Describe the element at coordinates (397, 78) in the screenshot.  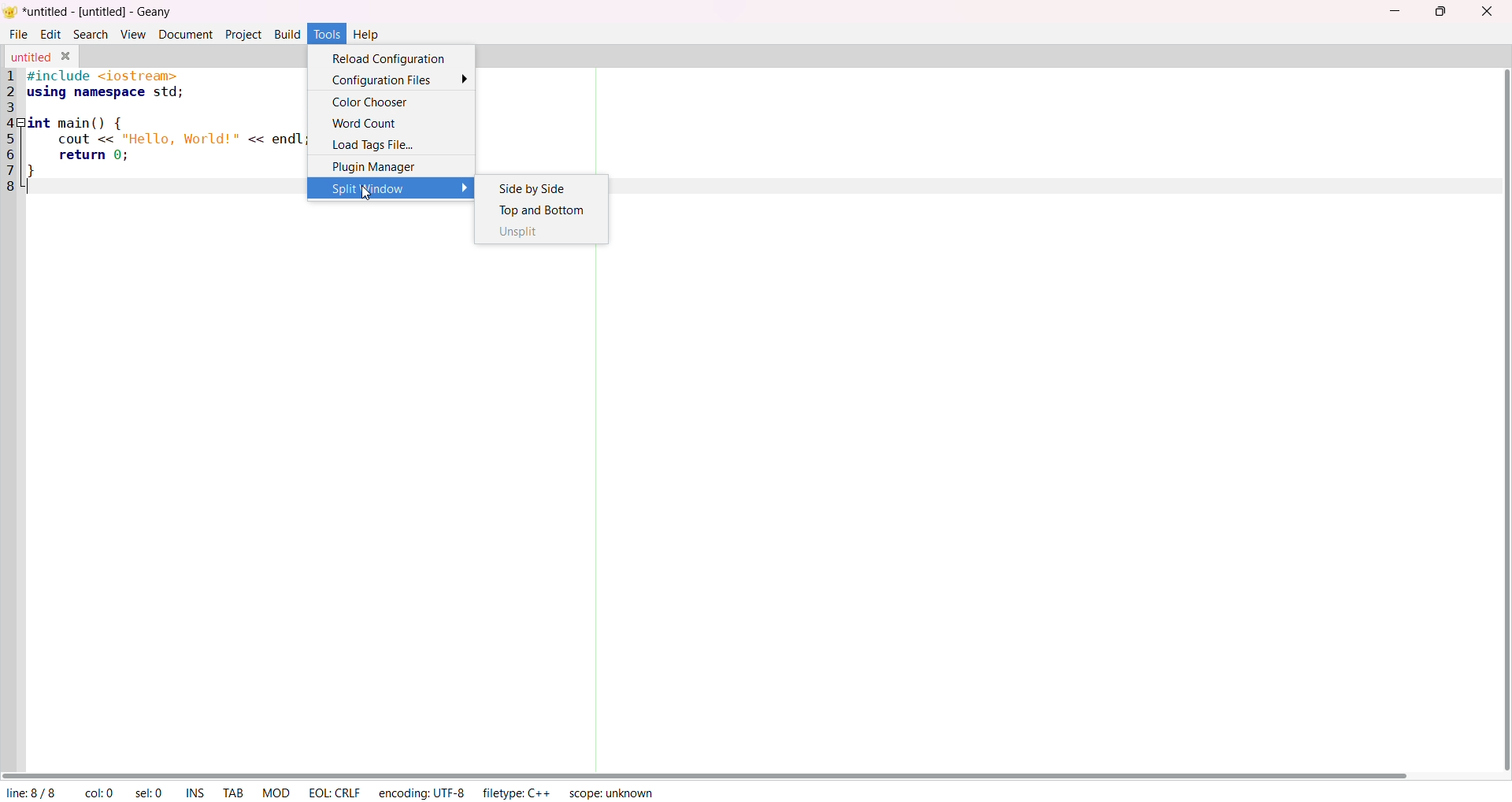
I see `Configuration Files` at that location.